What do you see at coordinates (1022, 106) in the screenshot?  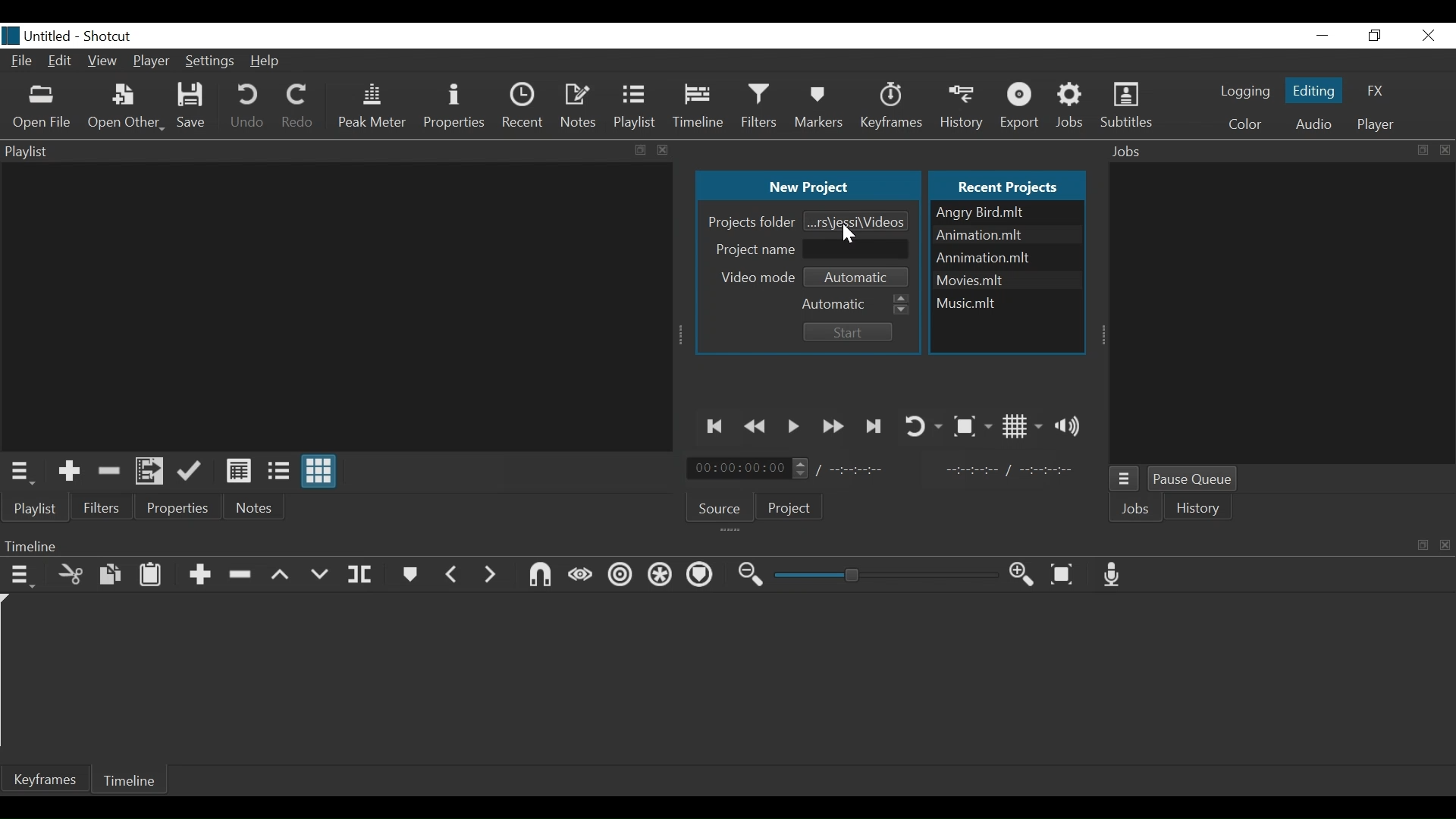 I see `Export` at bounding box center [1022, 106].